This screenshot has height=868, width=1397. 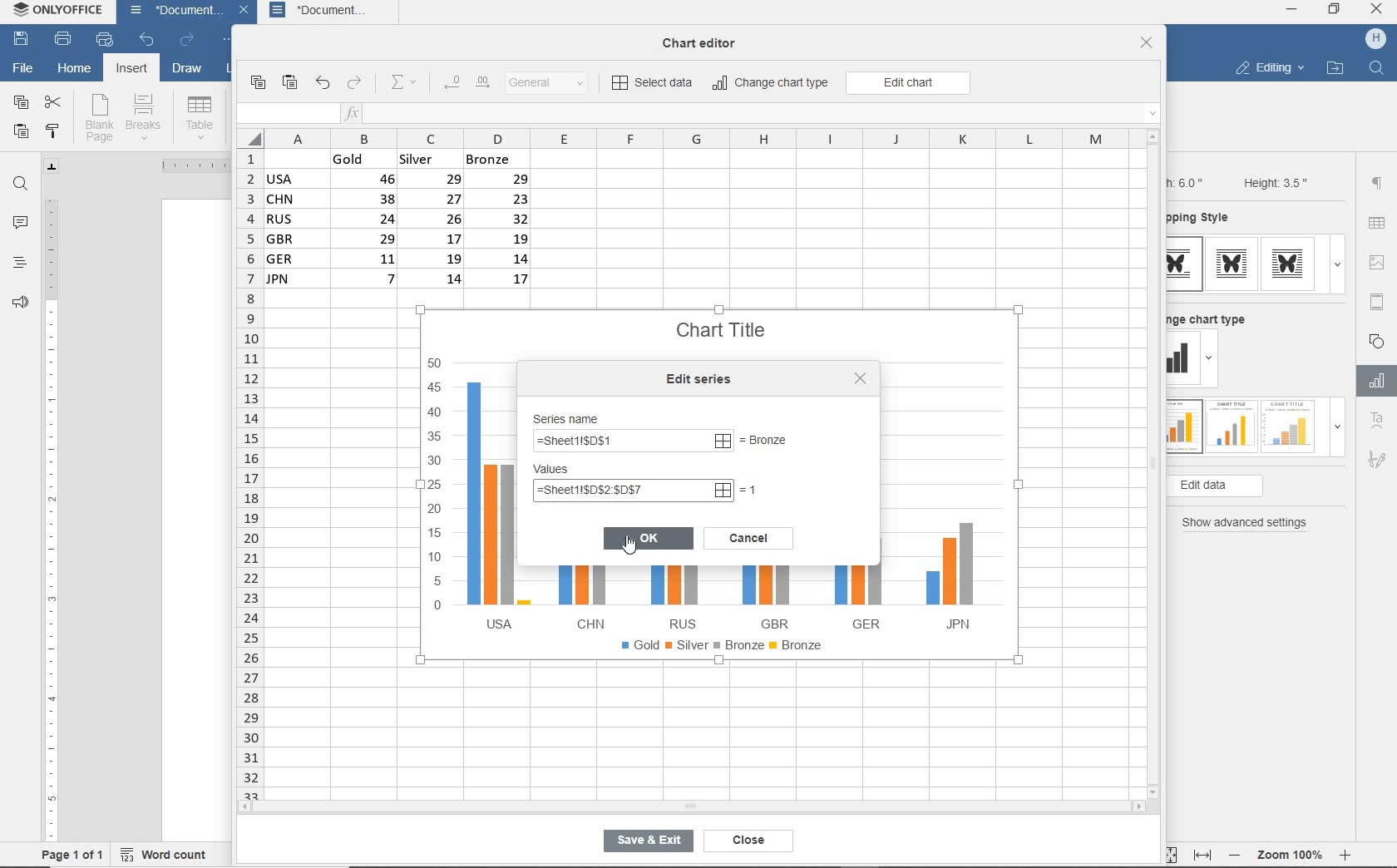 What do you see at coordinates (1229, 425) in the screenshot?
I see `type 2 ` at bounding box center [1229, 425].